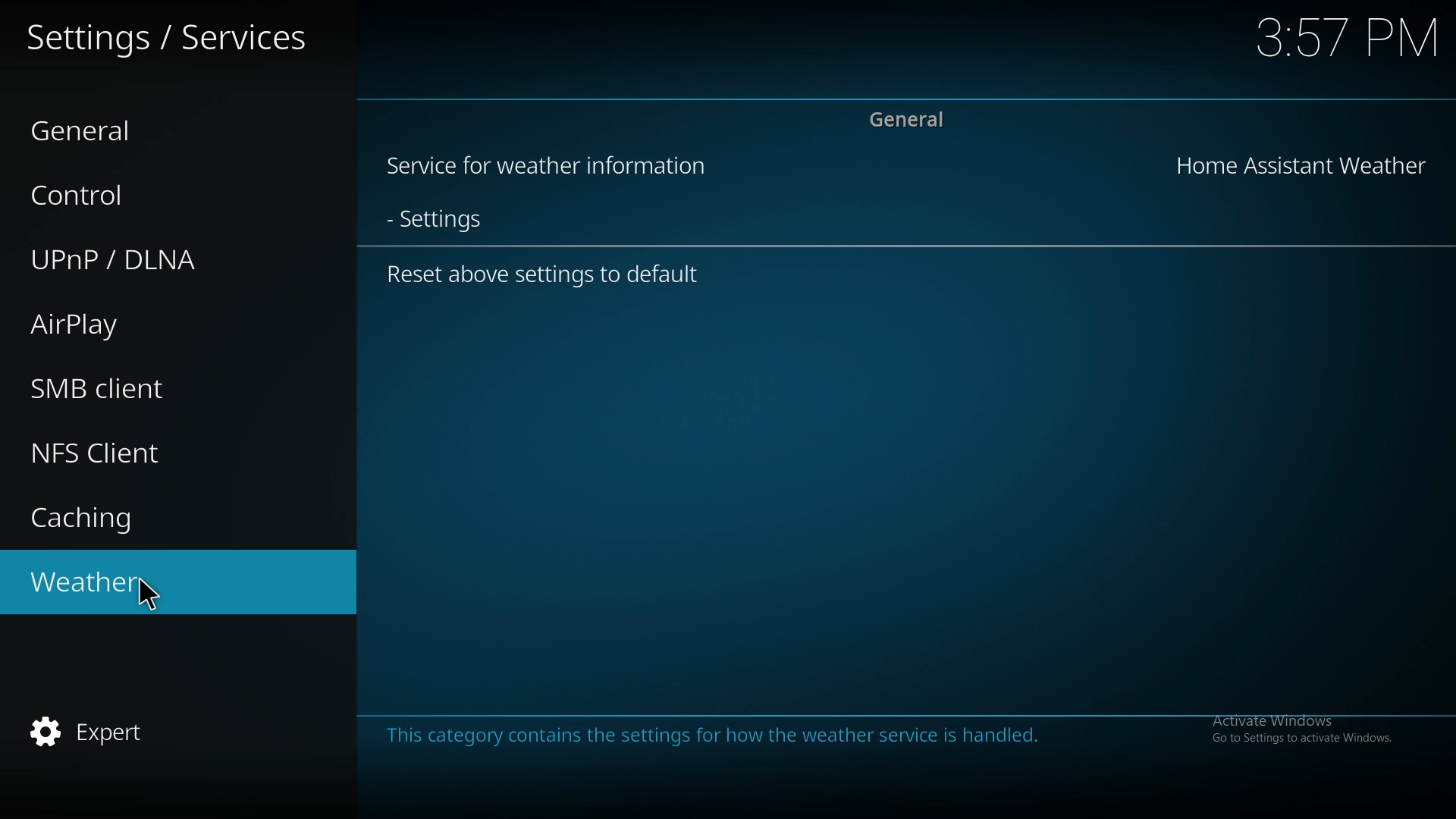  I want to click on Time, so click(1349, 39).